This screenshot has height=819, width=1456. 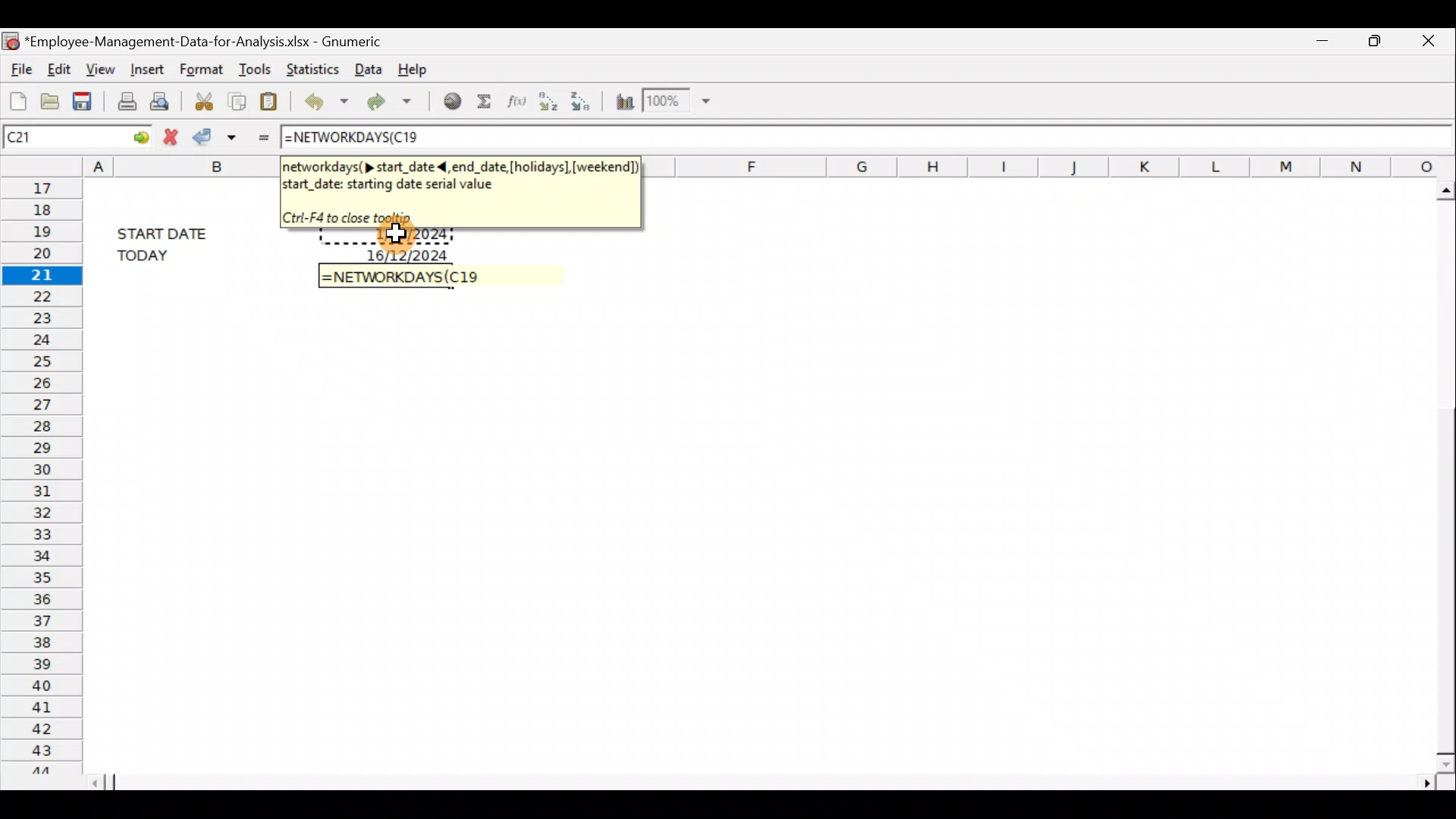 I want to click on networkworkdays(> start_date <,end_date, [holidays], [weekend],start_date: starting date serial value. Ctrl +F4 to close tooltip, so click(x=459, y=190).